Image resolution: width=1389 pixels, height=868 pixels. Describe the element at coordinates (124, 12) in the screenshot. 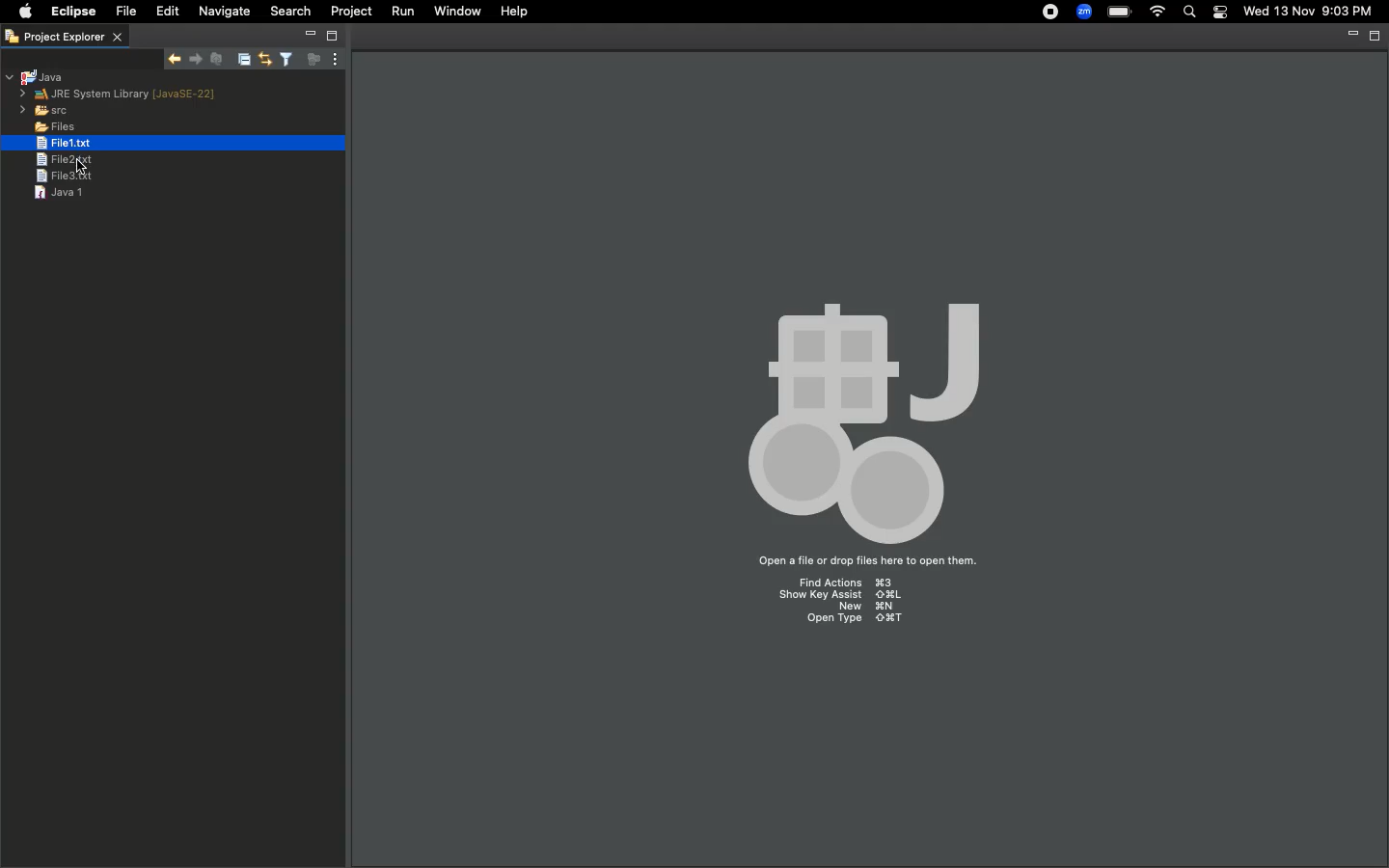

I see `File` at that location.